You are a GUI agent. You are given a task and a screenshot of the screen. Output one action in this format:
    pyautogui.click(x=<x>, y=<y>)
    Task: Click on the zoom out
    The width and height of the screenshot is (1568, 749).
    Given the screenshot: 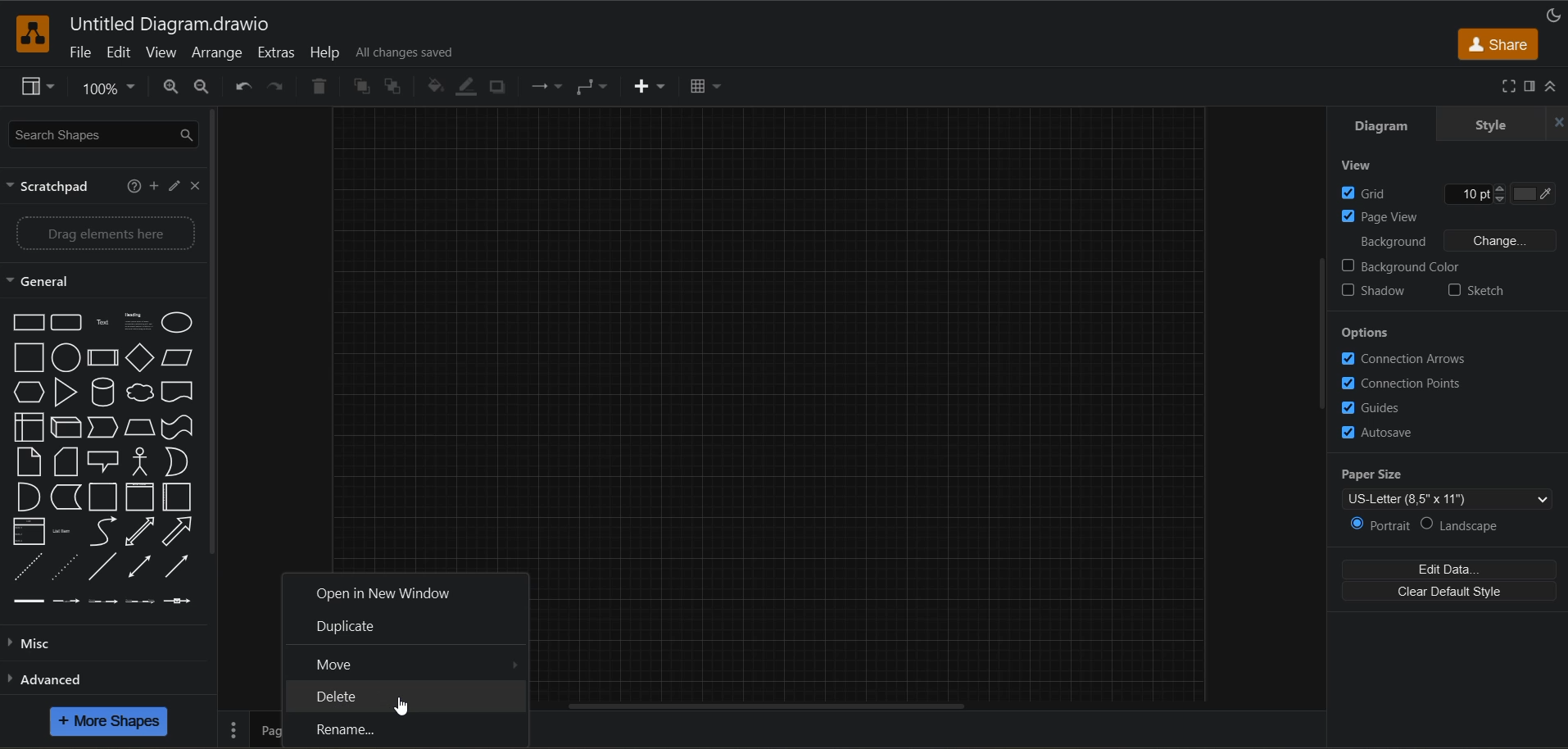 What is the action you would take?
    pyautogui.click(x=201, y=87)
    